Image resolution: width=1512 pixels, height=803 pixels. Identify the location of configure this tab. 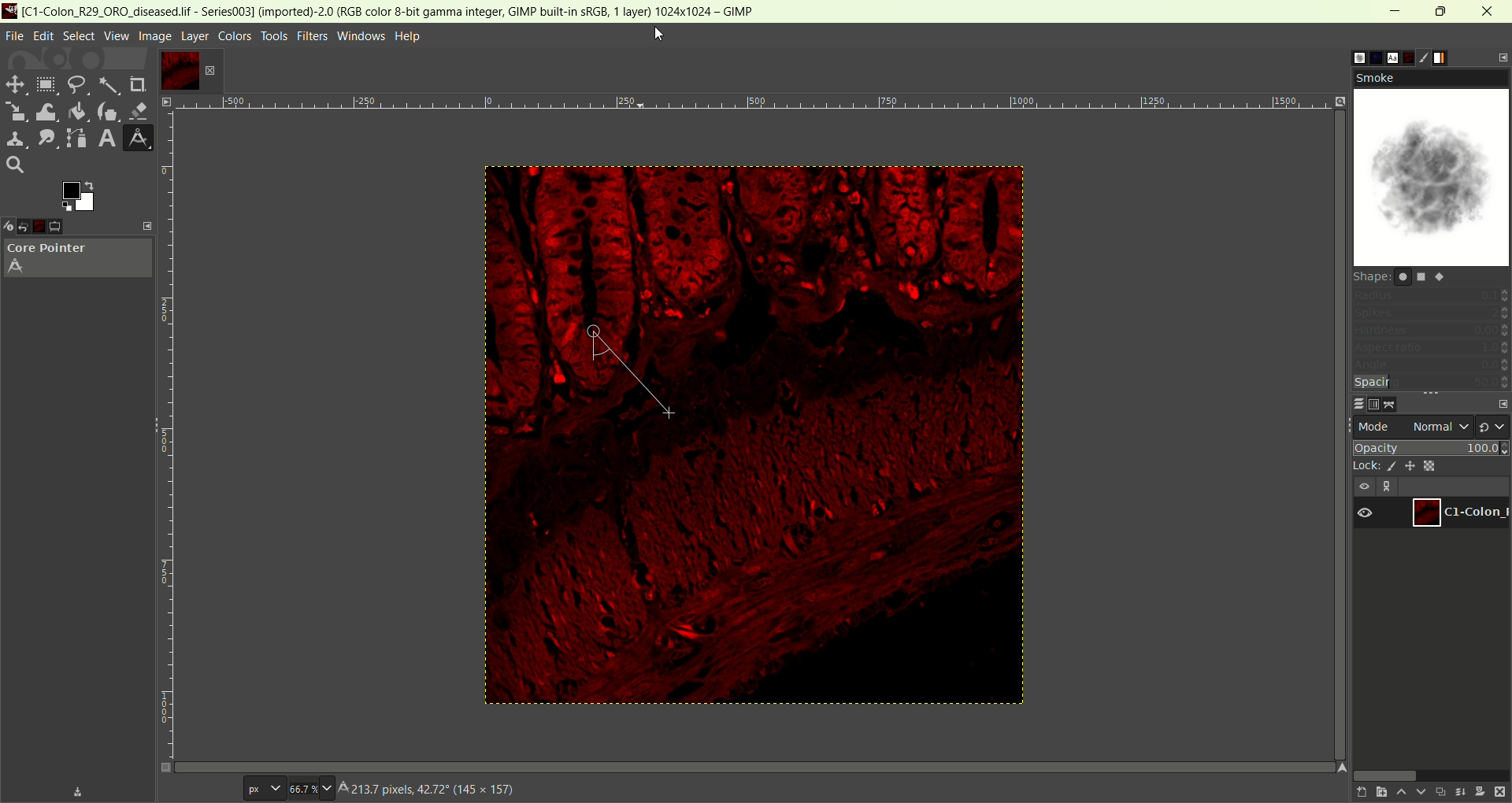
(1500, 58).